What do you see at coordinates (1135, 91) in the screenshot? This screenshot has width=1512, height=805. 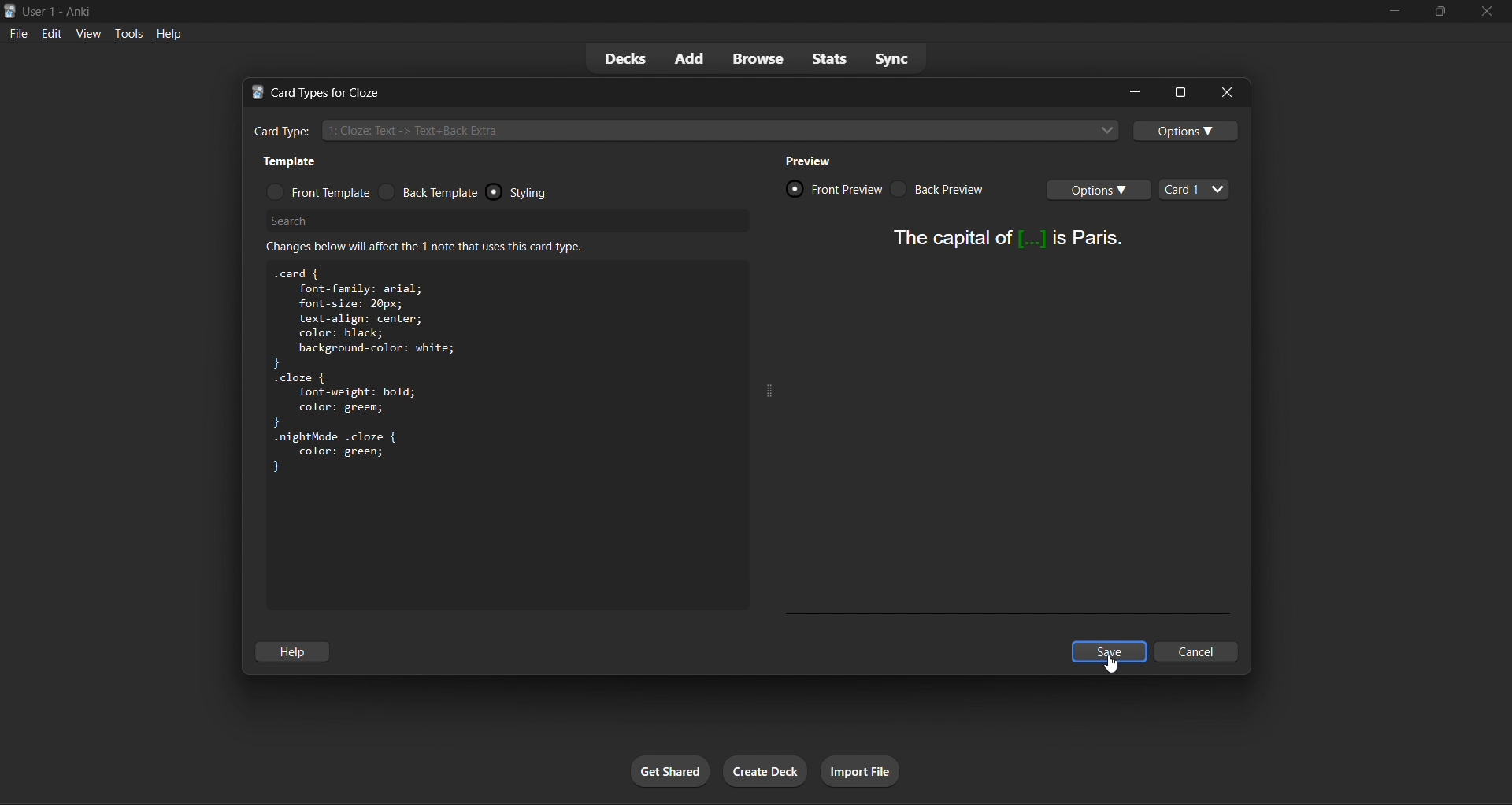 I see `minimize` at bounding box center [1135, 91].